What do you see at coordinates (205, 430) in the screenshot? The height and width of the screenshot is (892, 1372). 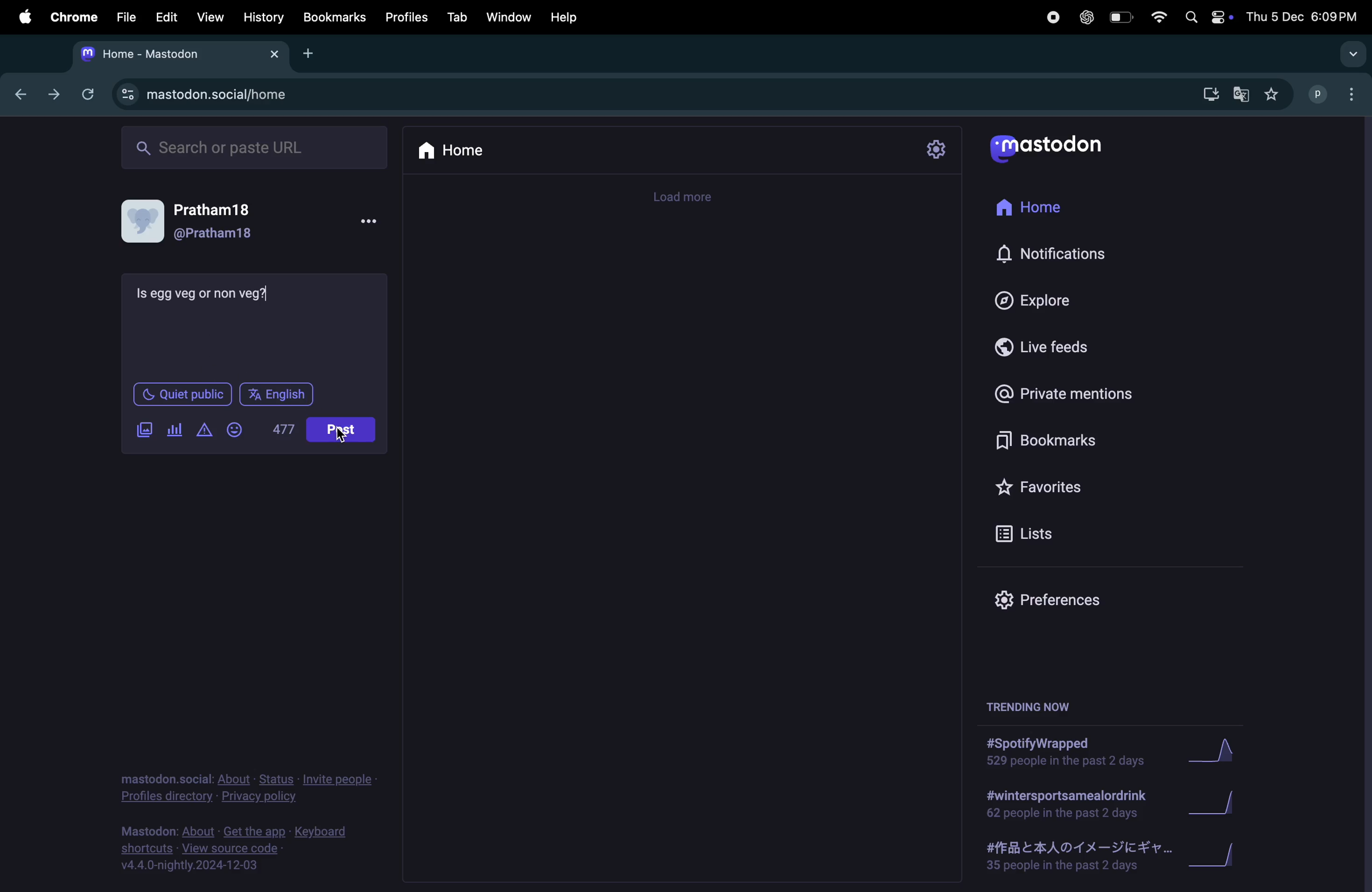 I see `alert` at bounding box center [205, 430].